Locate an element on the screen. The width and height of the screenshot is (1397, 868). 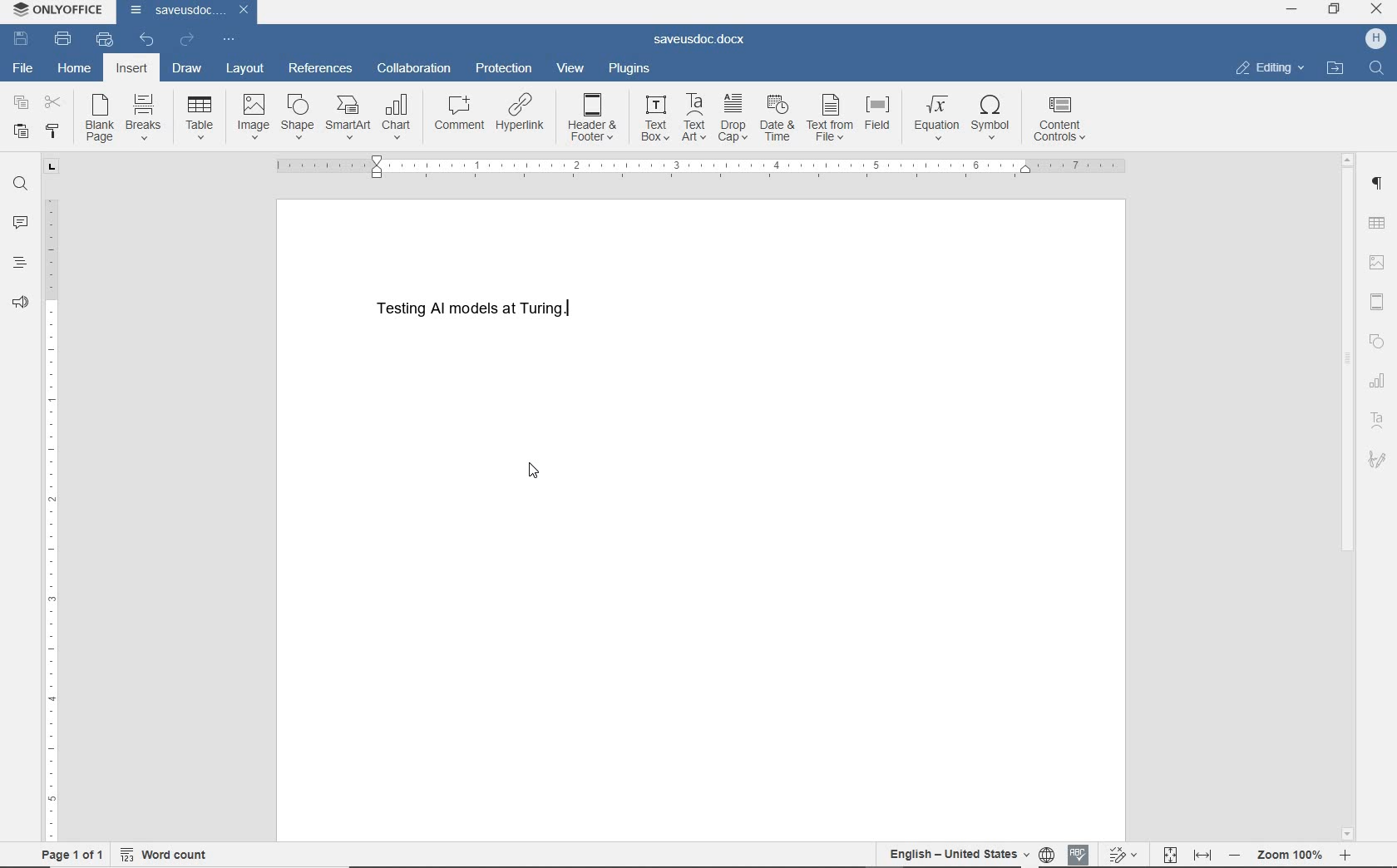
customize quick access toolbar is located at coordinates (229, 40).